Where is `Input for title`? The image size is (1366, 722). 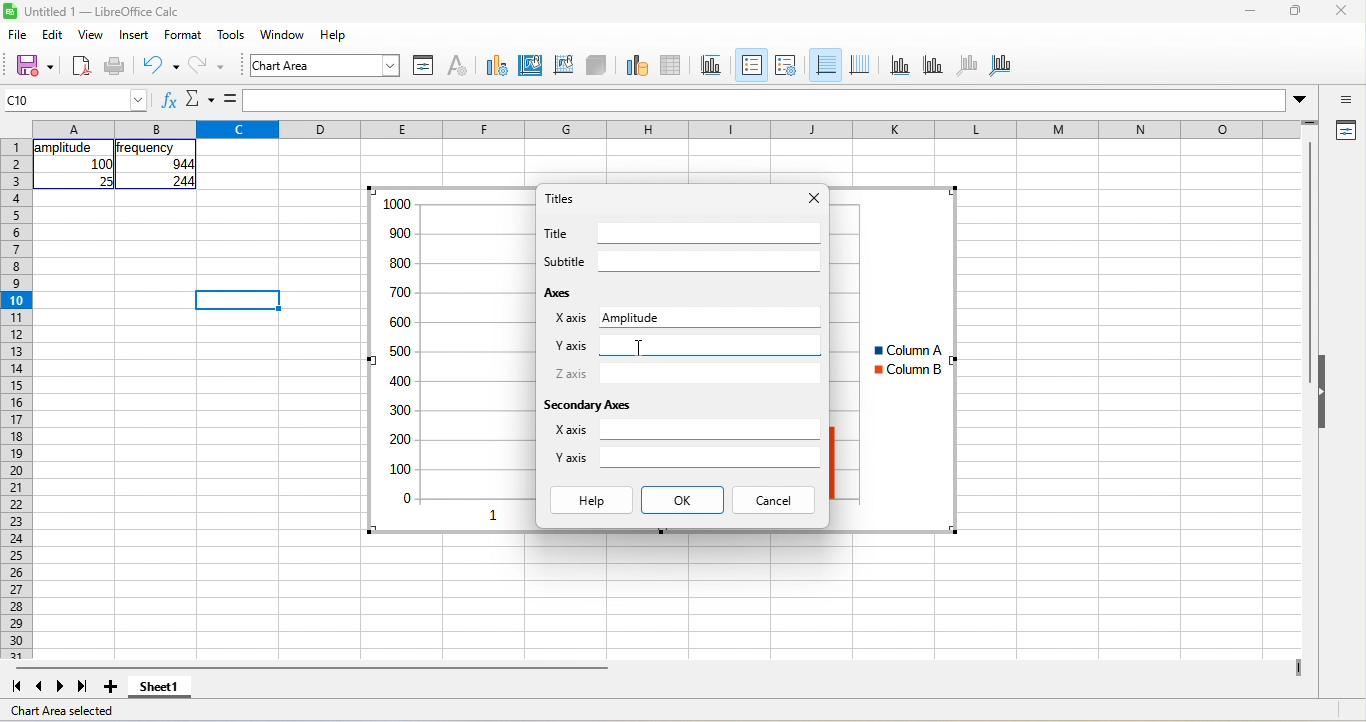
Input for title is located at coordinates (710, 233).